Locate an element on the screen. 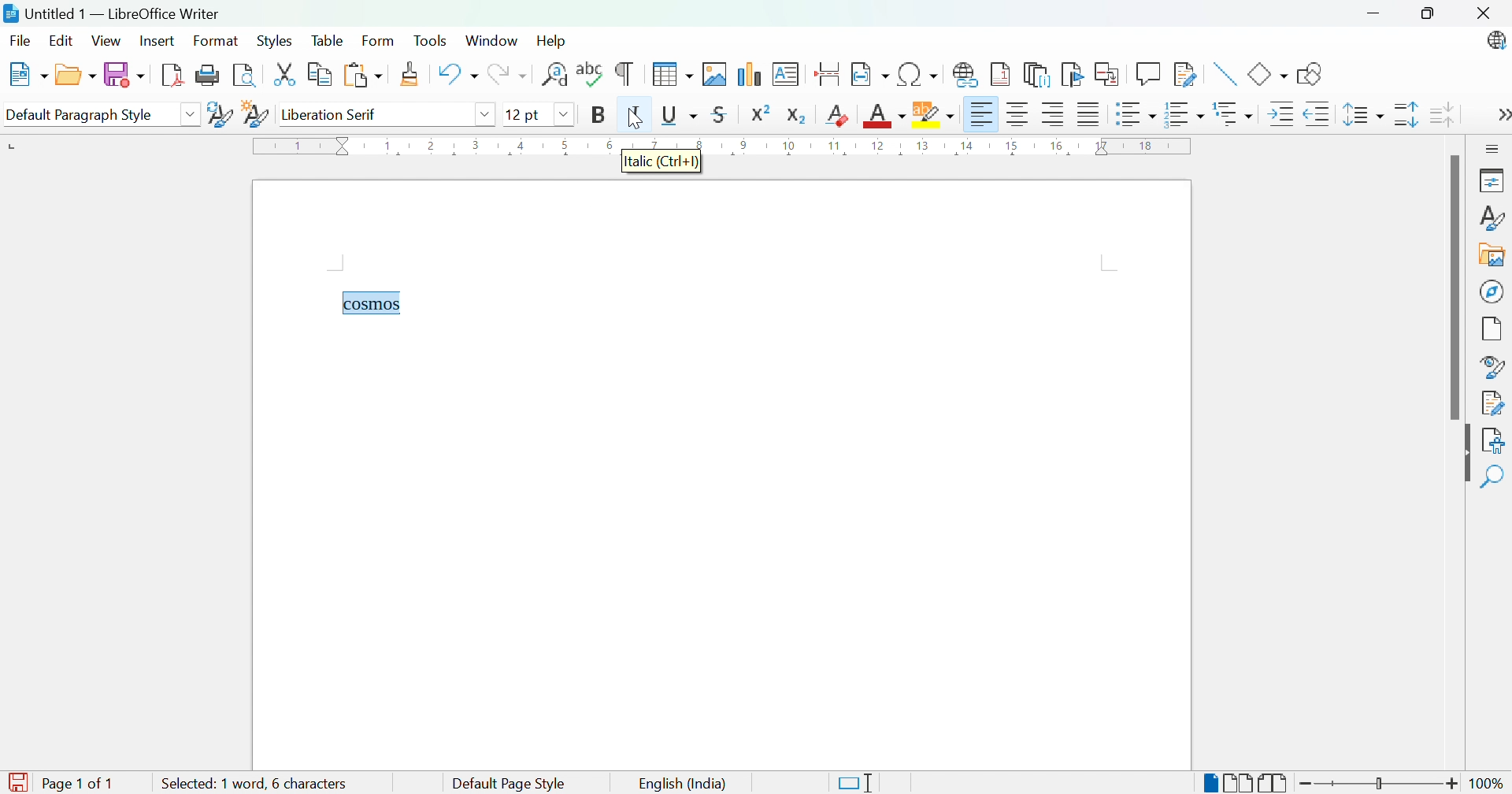  Insert image is located at coordinates (714, 74).